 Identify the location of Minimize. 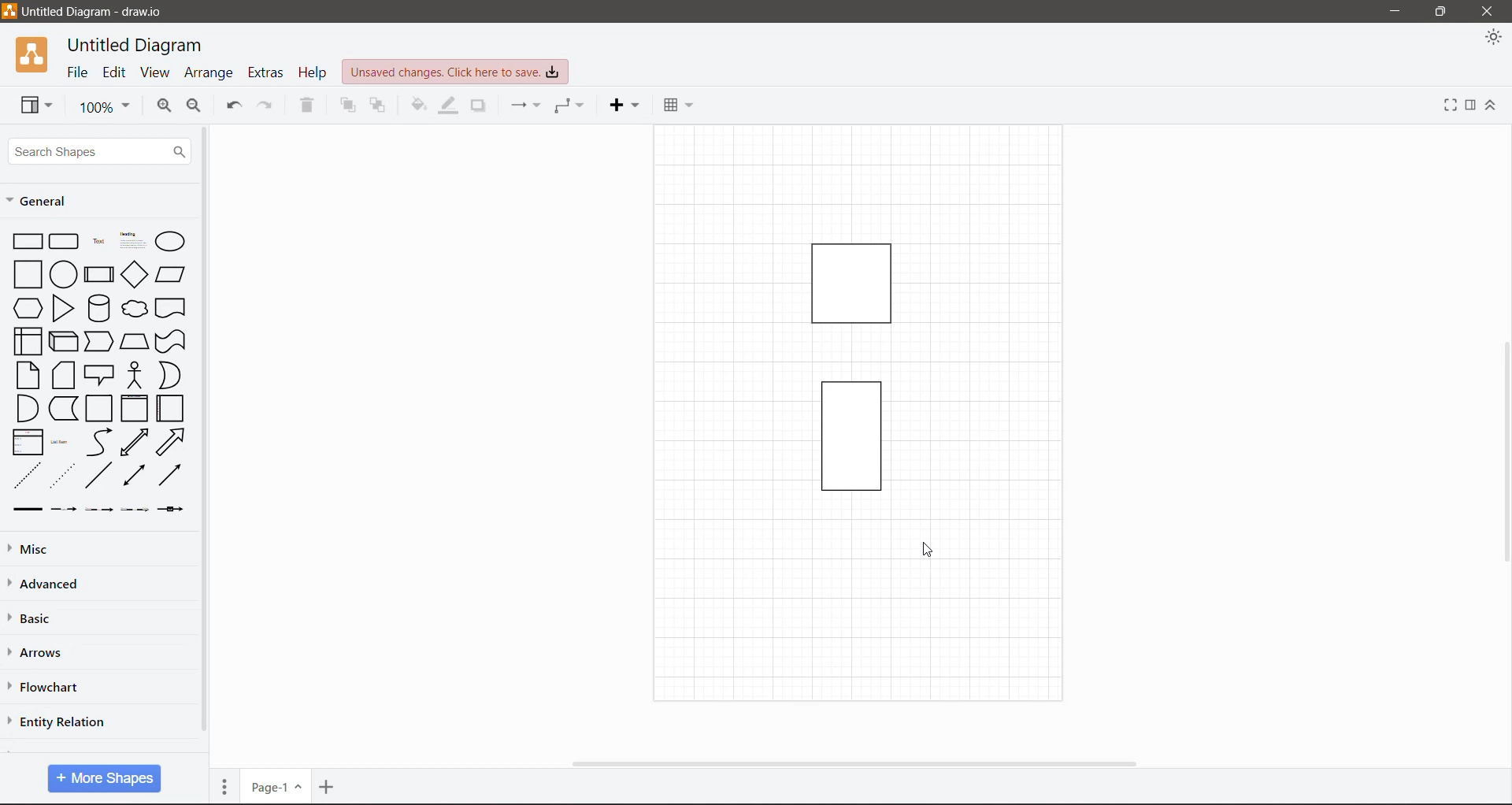
(1395, 12).